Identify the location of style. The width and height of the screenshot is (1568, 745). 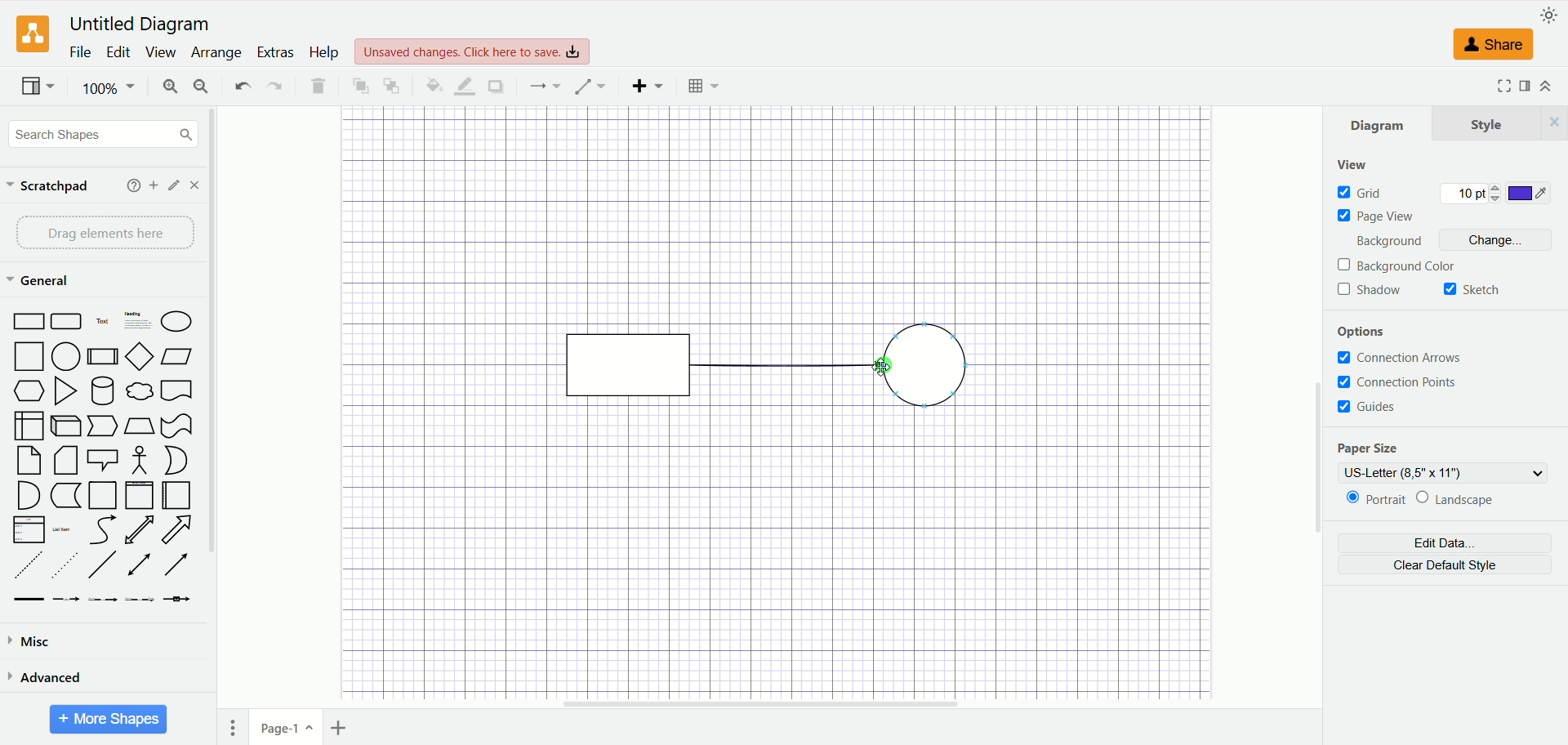
(1500, 123).